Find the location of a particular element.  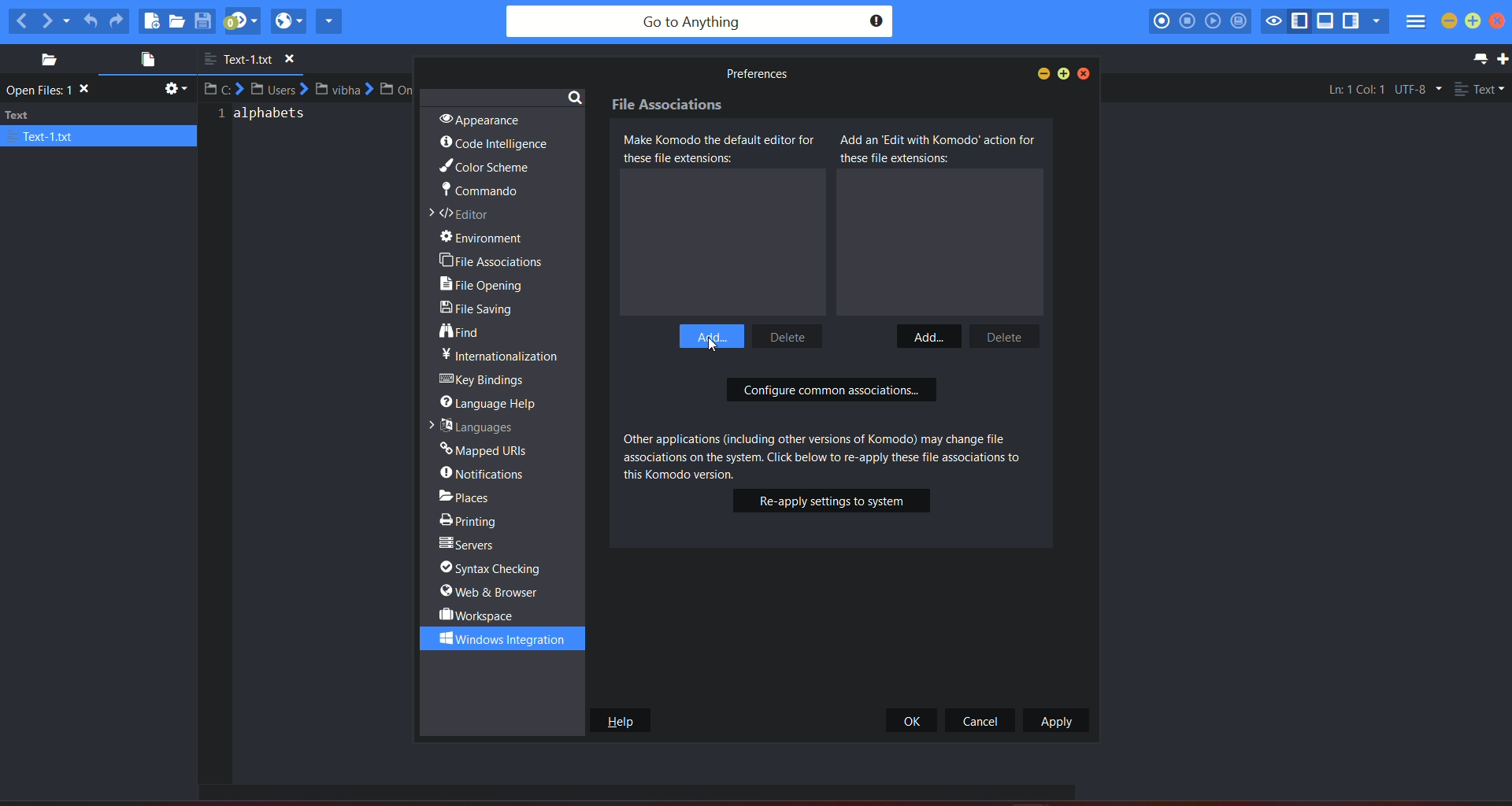

add is located at coordinates (713, 333).